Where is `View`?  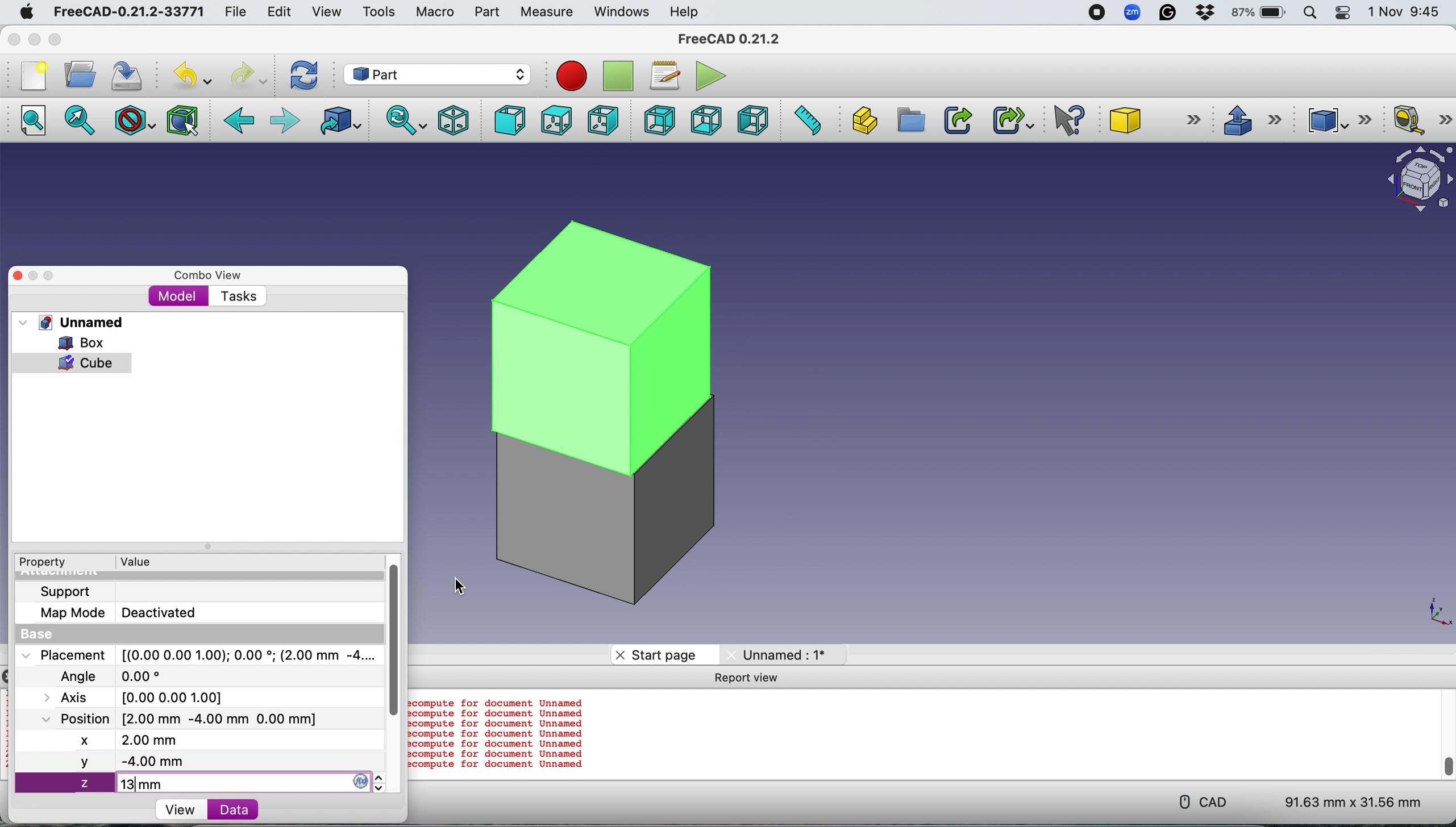
View is located at coordinates (326, 12).